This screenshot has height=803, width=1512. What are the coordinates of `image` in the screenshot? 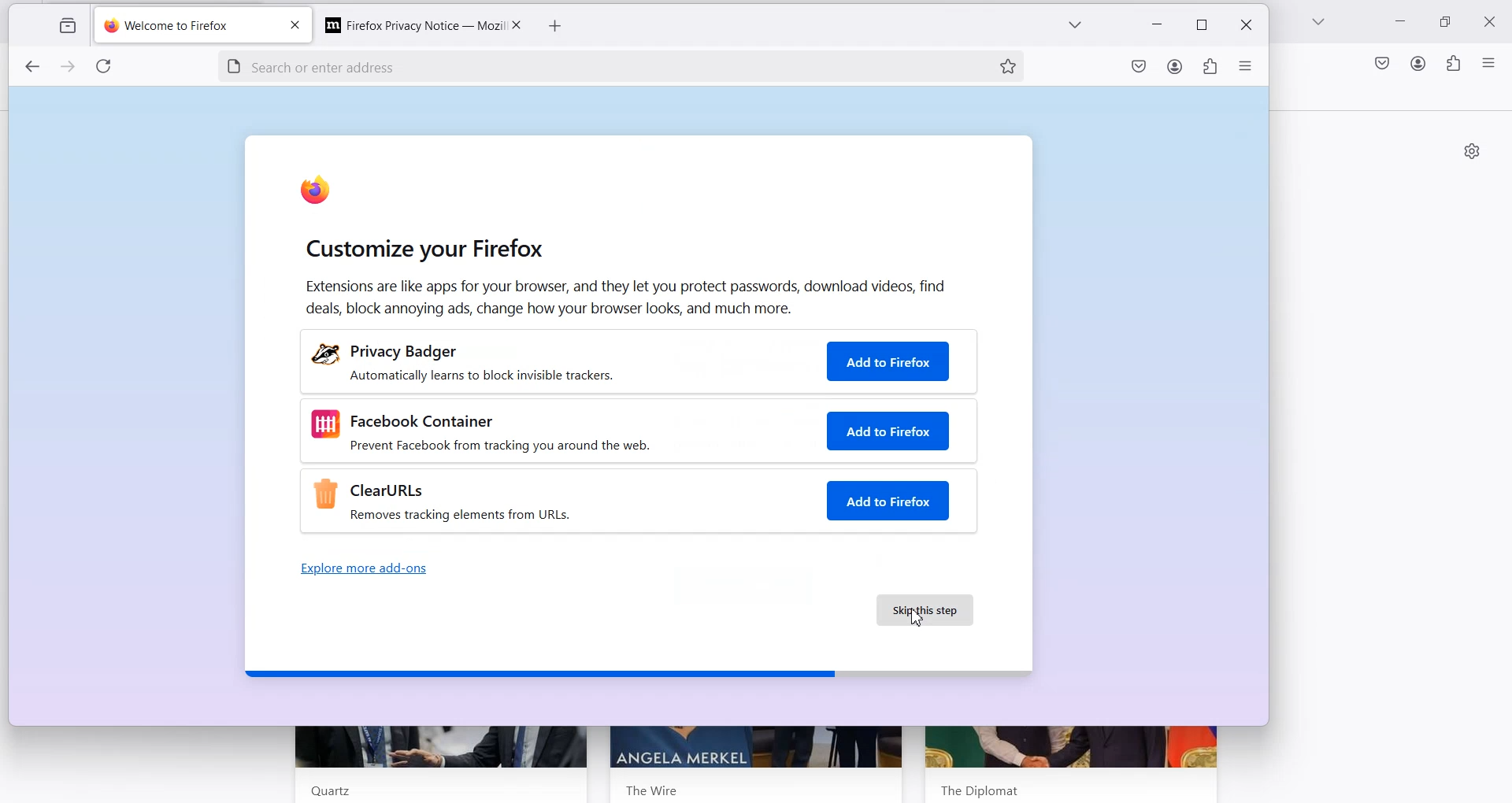 It's located at (321, 355).